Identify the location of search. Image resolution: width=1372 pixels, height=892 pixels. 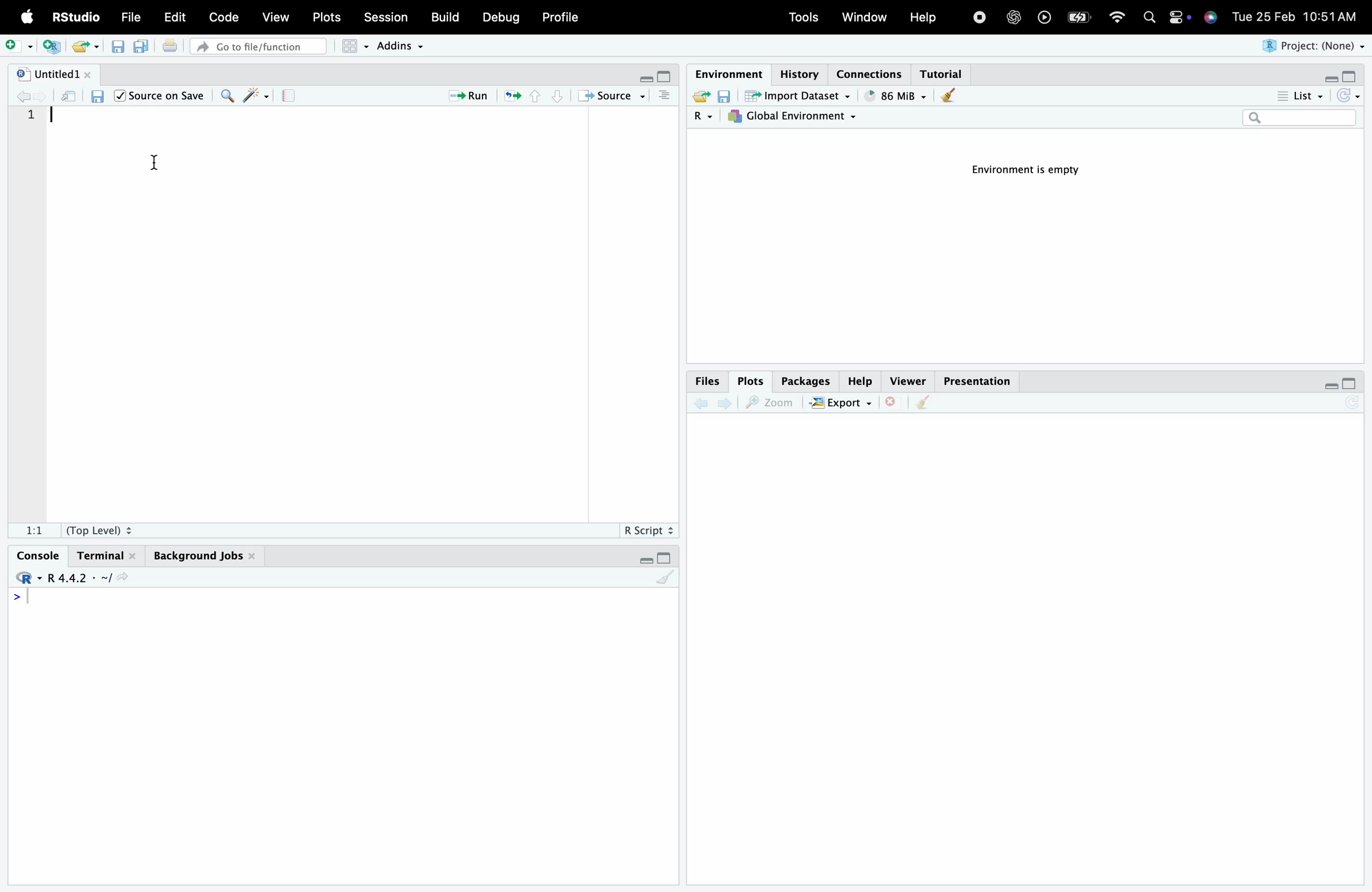
(1153, 19).